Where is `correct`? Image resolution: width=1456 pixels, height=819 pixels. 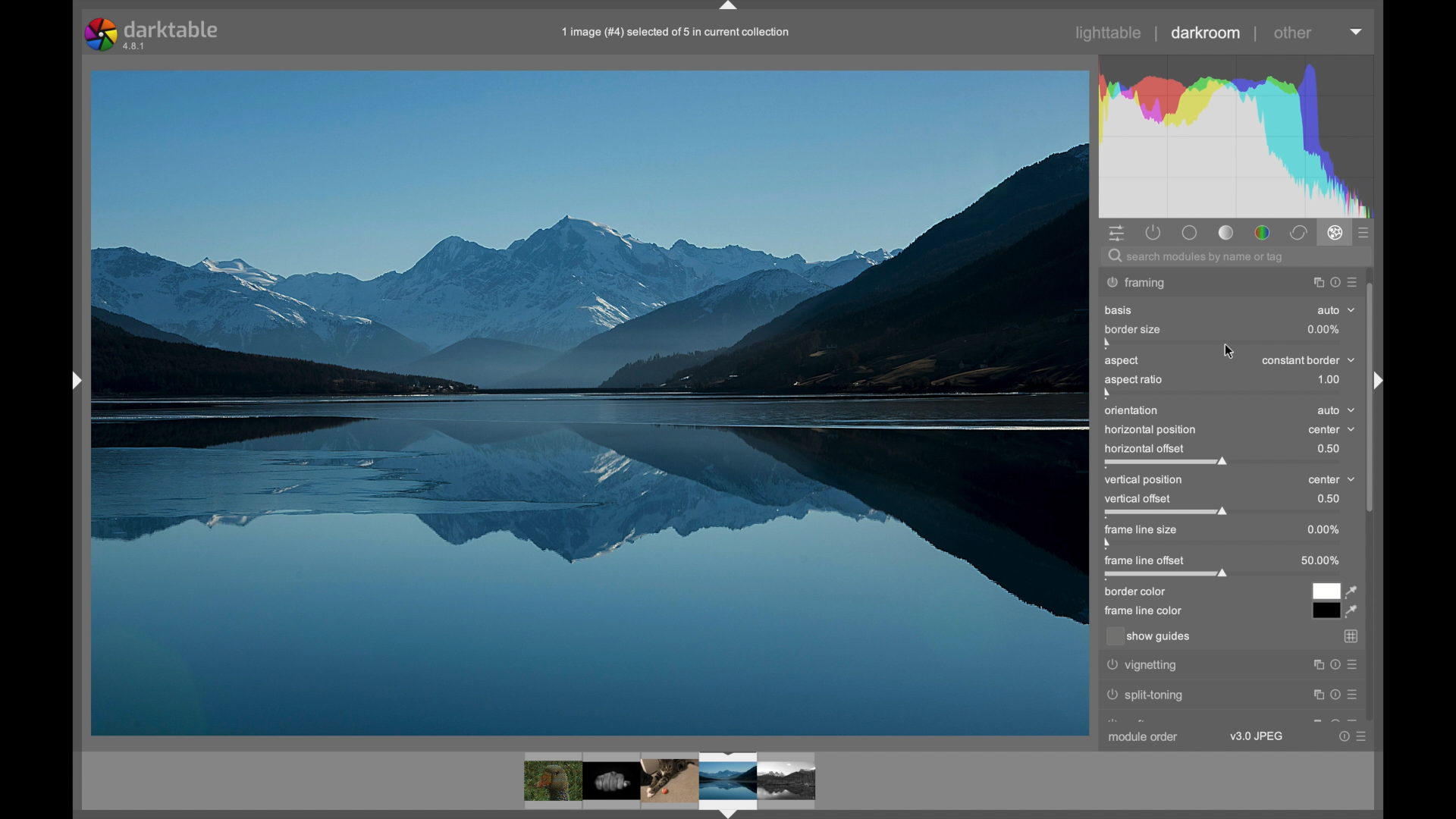
correct is located at coordinates (1300, 232).